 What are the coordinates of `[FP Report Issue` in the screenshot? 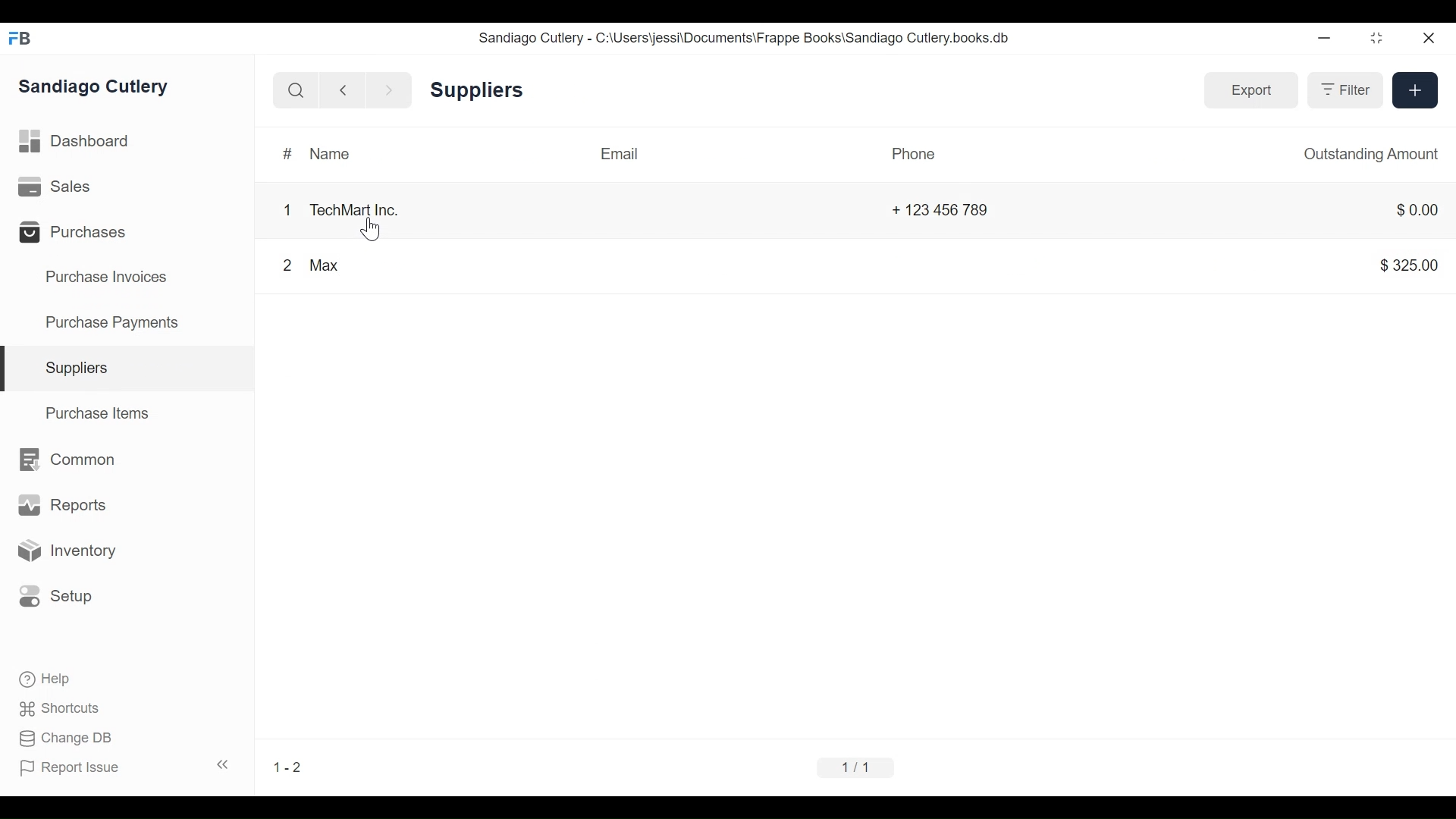 It's located at (74, 772).